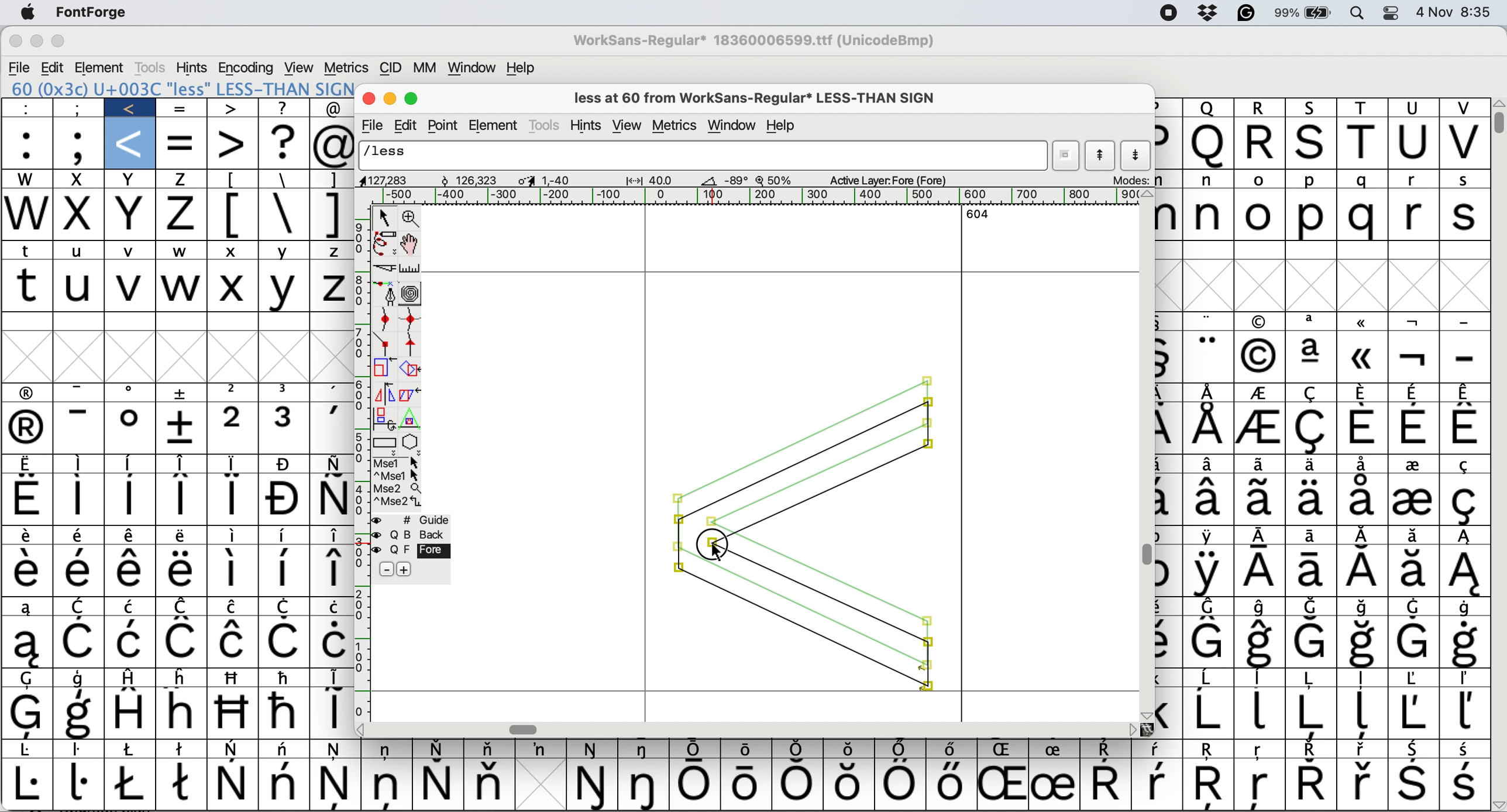  What do you see at coordinates (181, 108) in the screenshot?
I see `=` at bounding box center [181, 108].